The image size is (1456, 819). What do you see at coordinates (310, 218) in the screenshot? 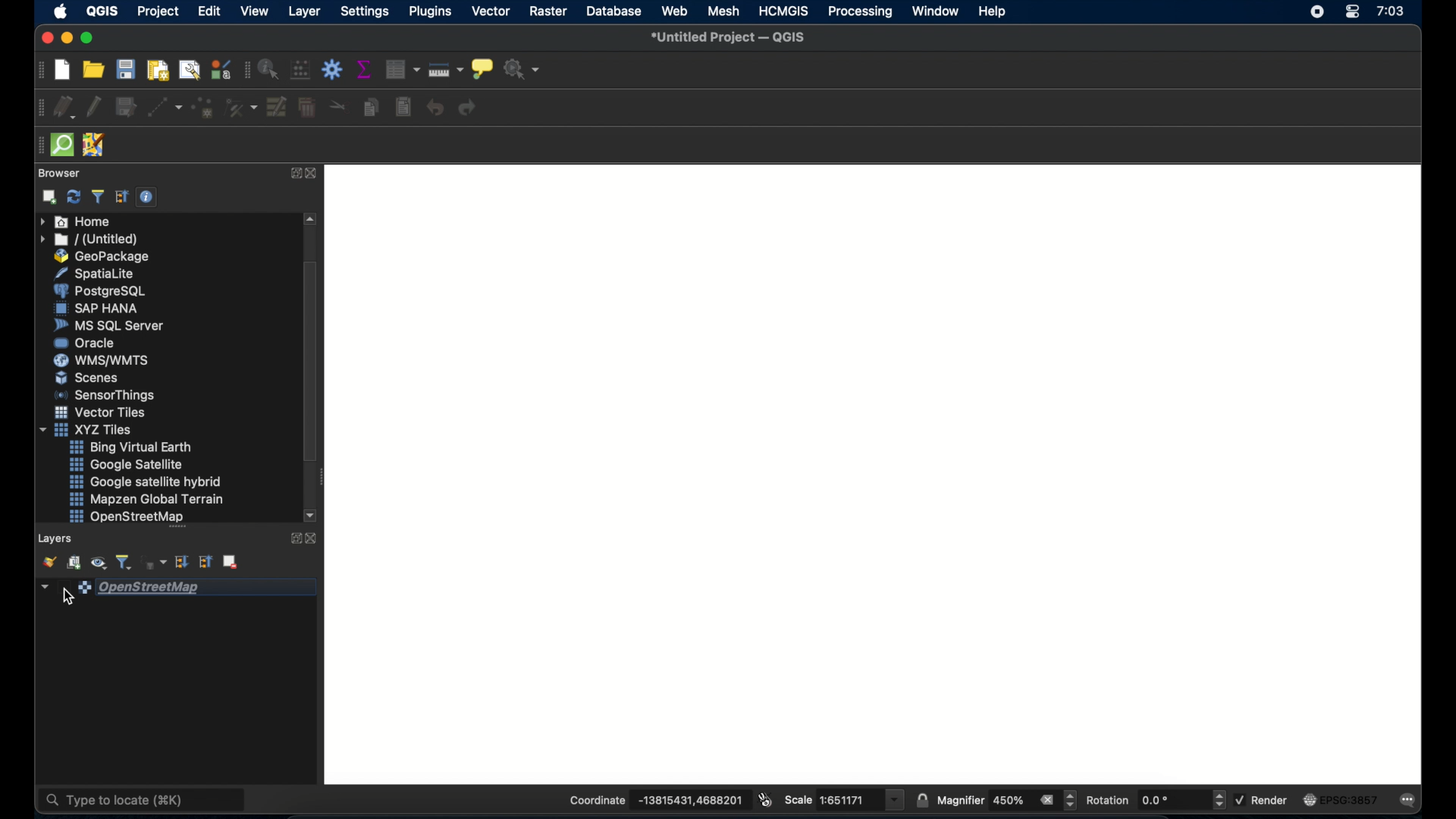
I see `scroll up arrow` at bounding box center [310, 218].